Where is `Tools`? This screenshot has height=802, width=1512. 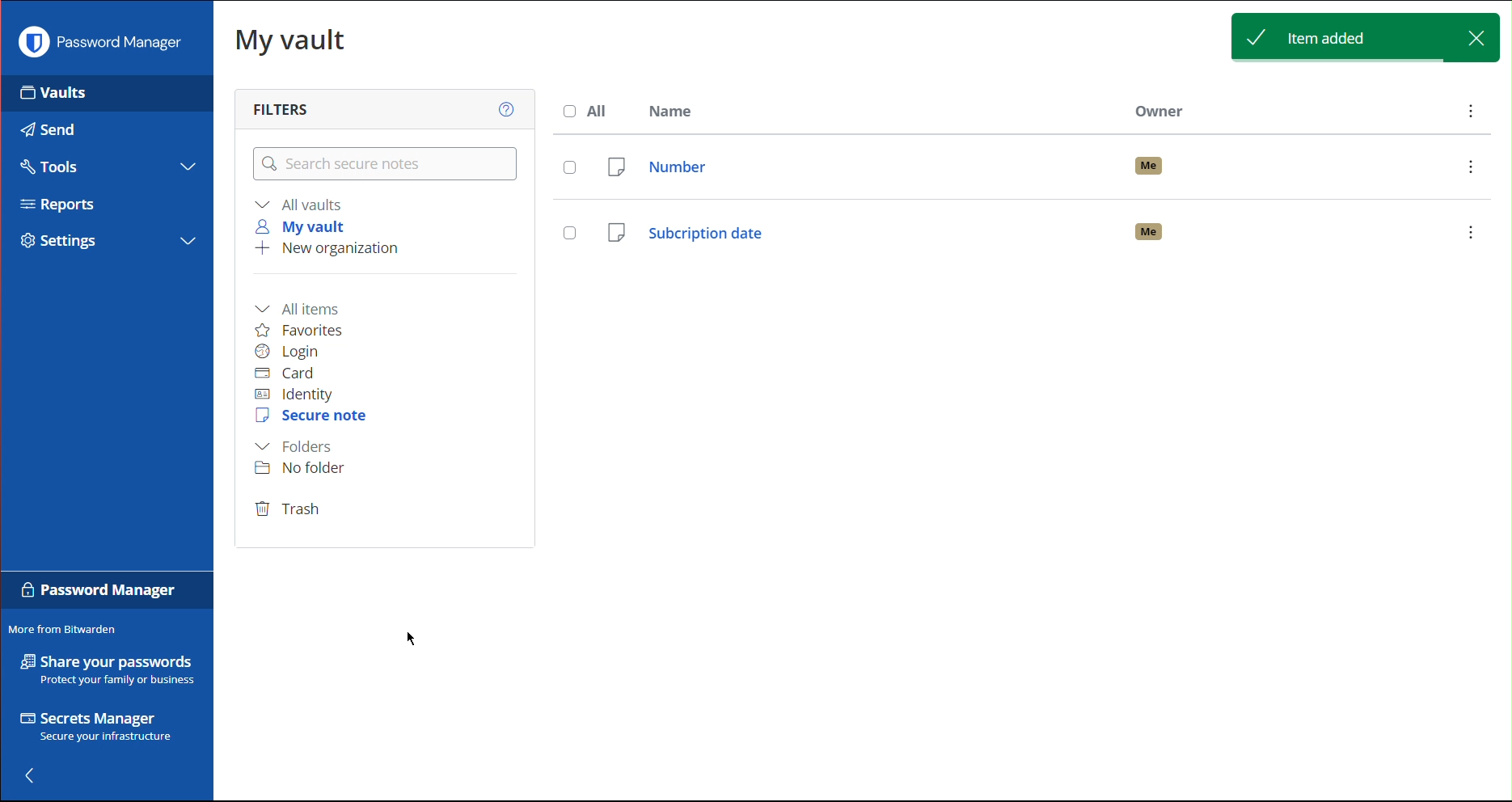
Tools is located at coordinates (47, 164).